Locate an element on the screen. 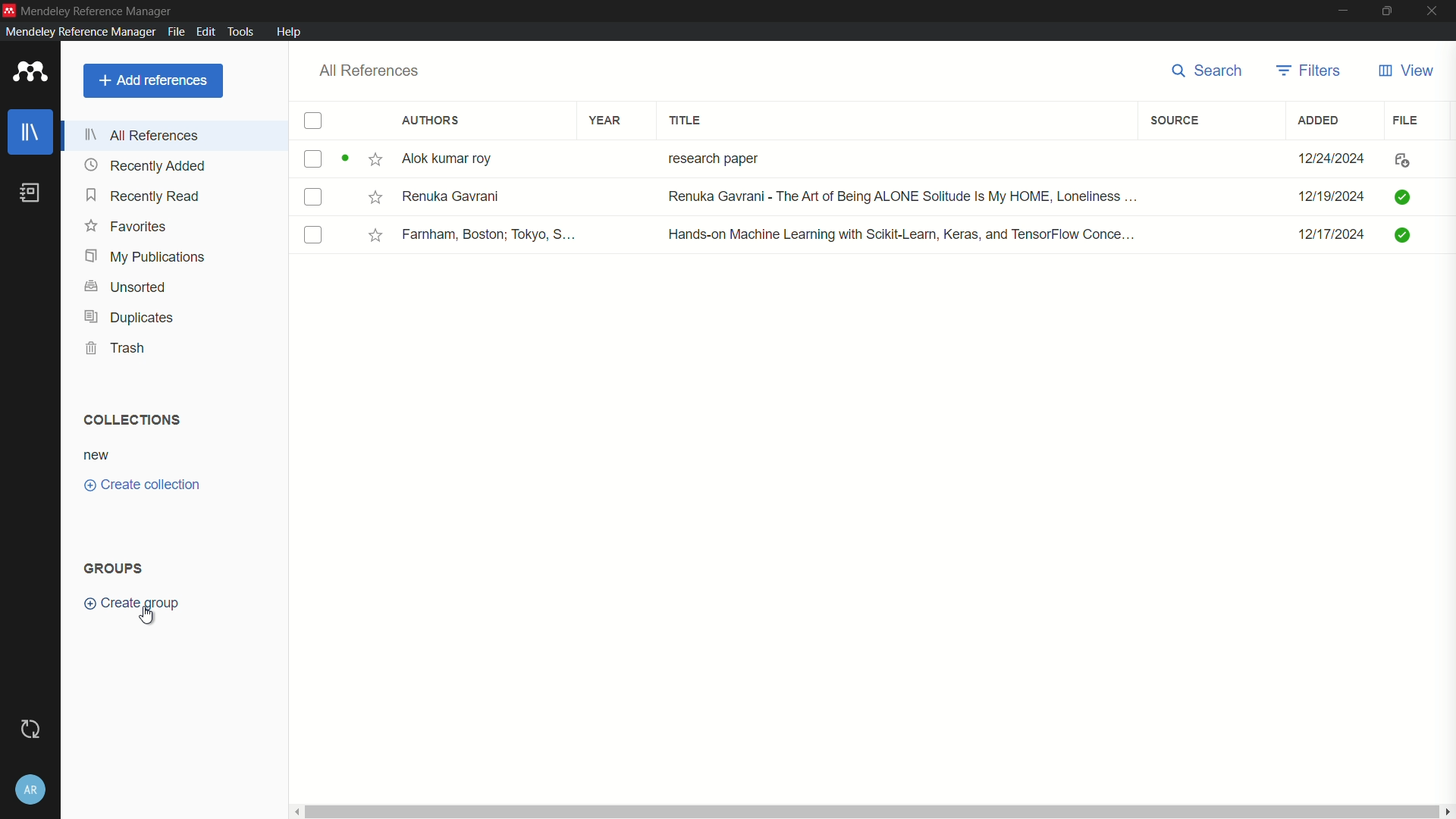 The width and height of the screenshot is (1456, 819). Star is located at coordinates (362, 160).